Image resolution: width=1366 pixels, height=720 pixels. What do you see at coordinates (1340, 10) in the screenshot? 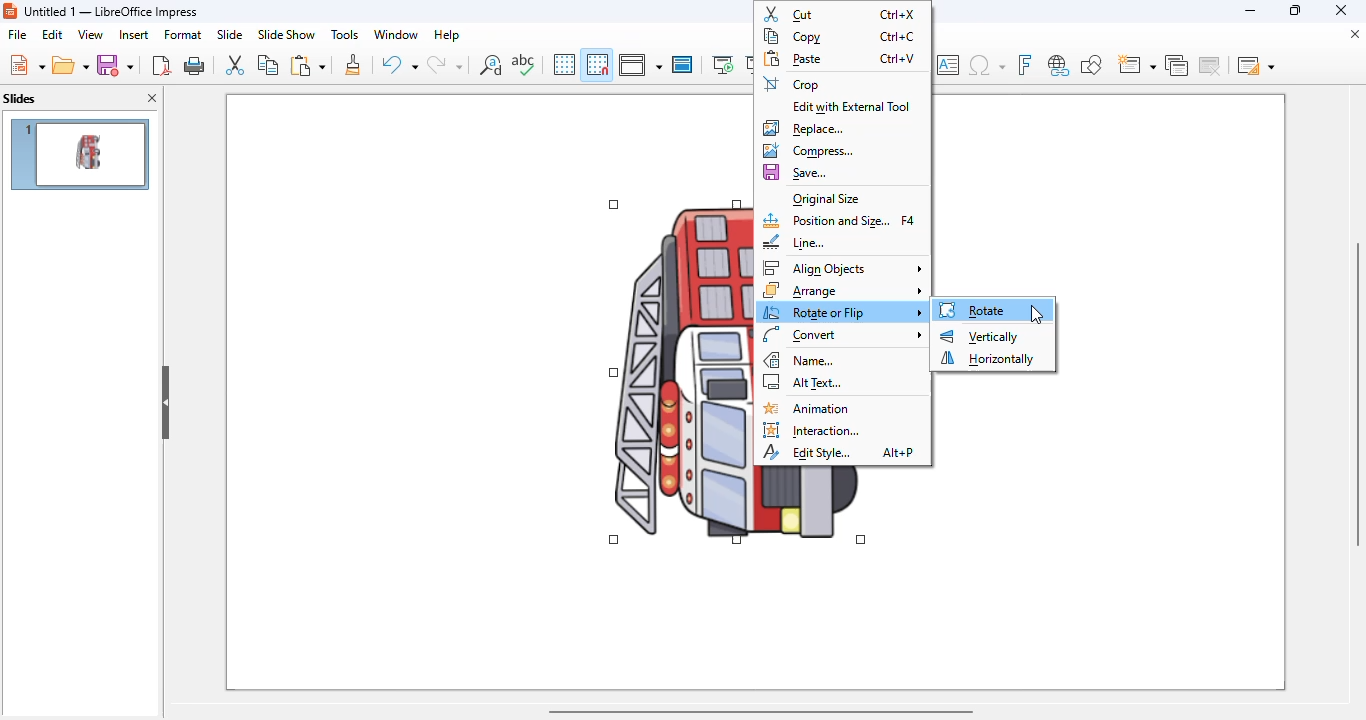
I see `close` at bounding box center [1340, 10].